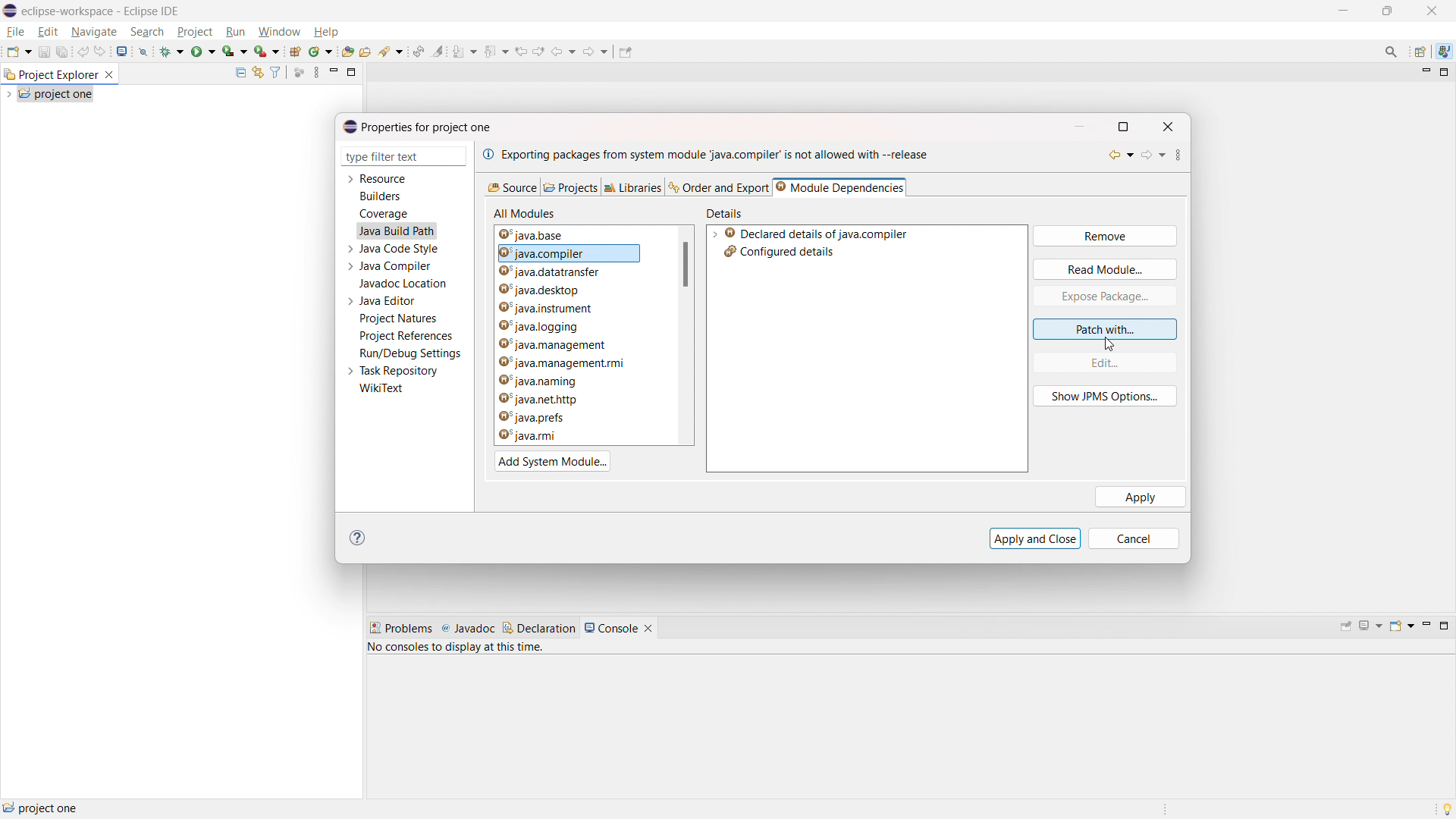  Describe the element at coordinates (566, 400) in the screenshot. I see `java.net.http` at that location.